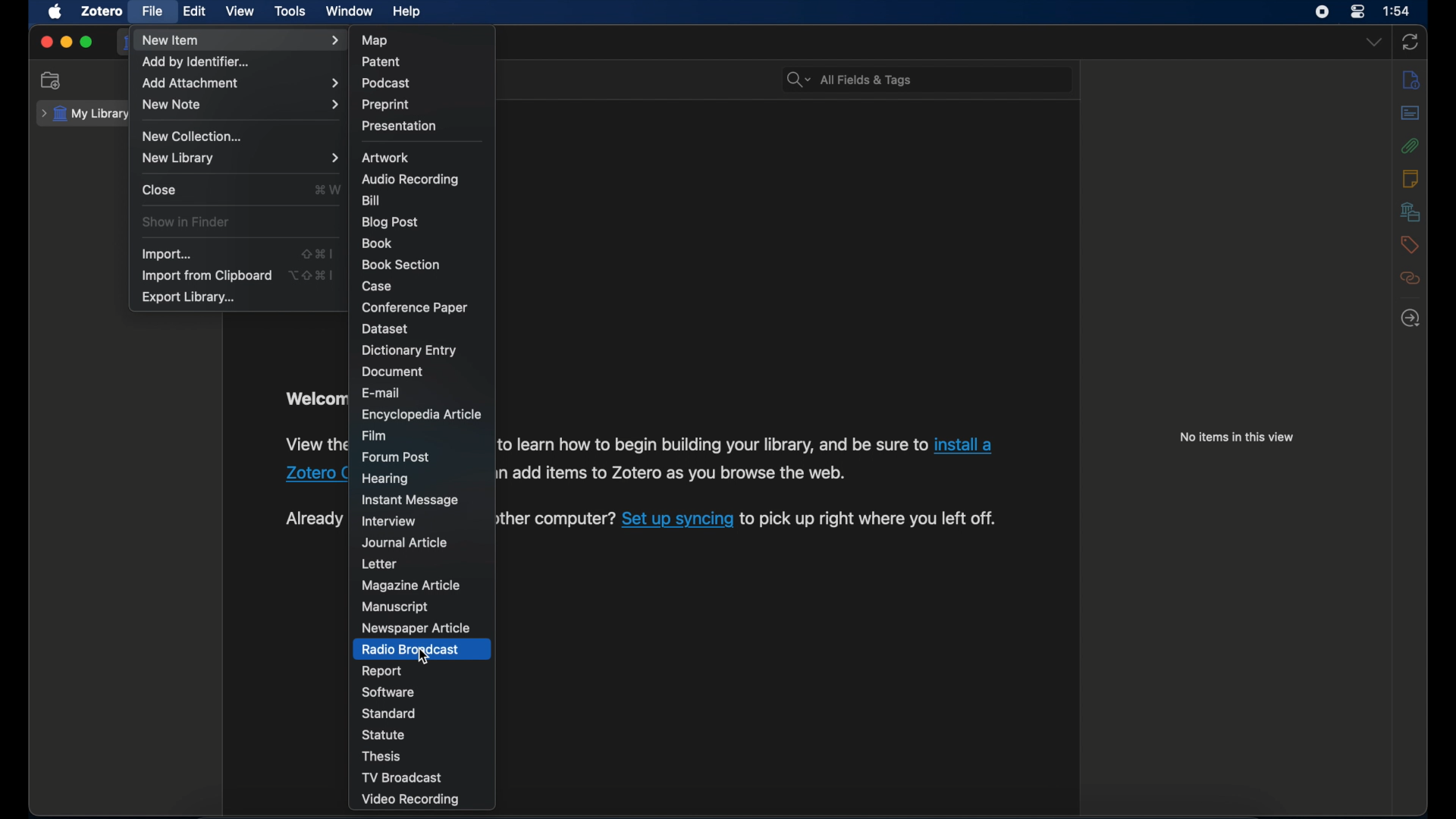 This screenshot has height=819, width=1456. I want to click on forum post, so click(395, 457).